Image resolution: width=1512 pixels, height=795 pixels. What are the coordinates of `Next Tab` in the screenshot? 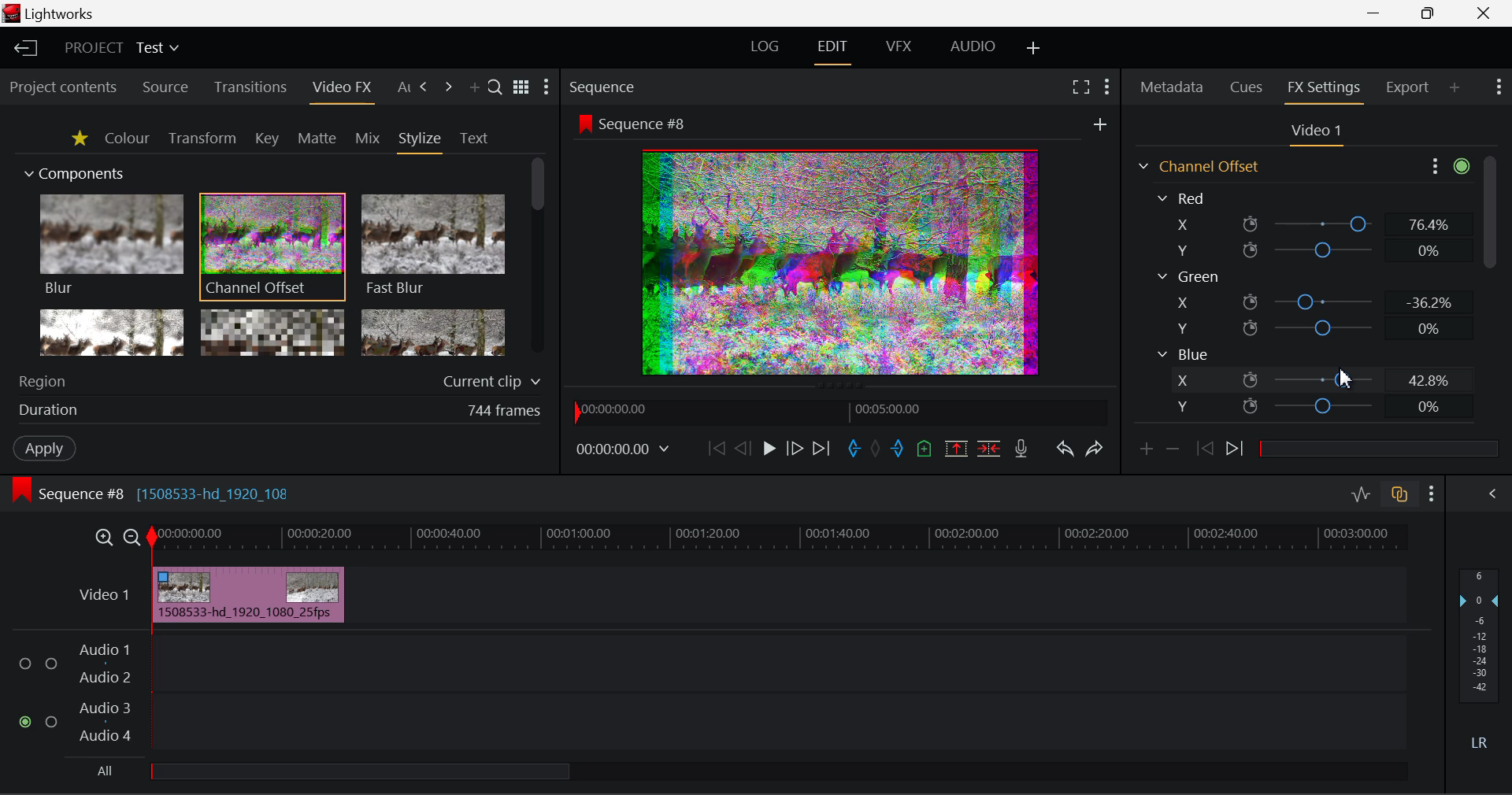 It's located at (448, 87).